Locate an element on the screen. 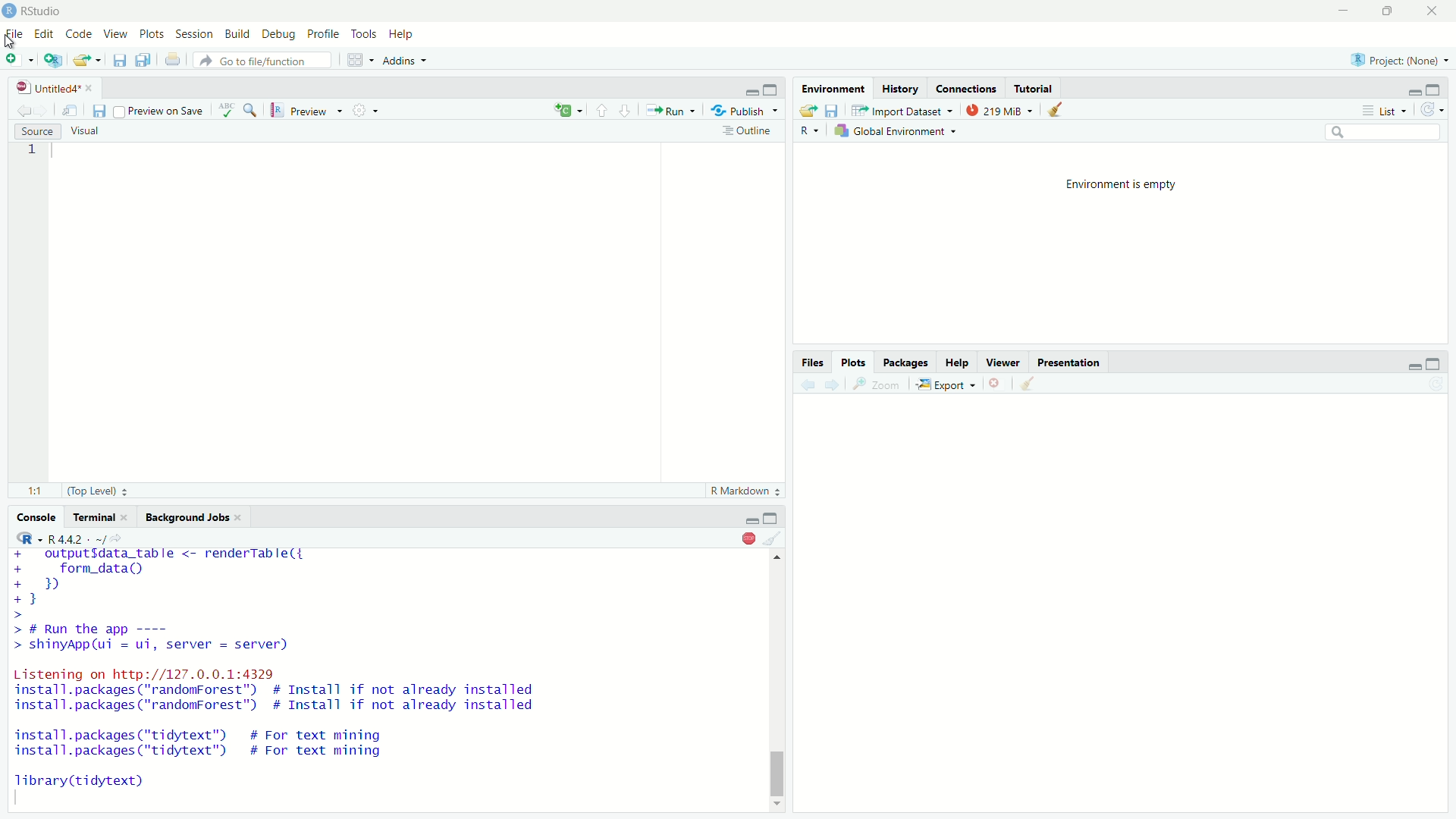 This screenshot has width=1456, height=819. remove the current plot is located at coordinates (998, 385).